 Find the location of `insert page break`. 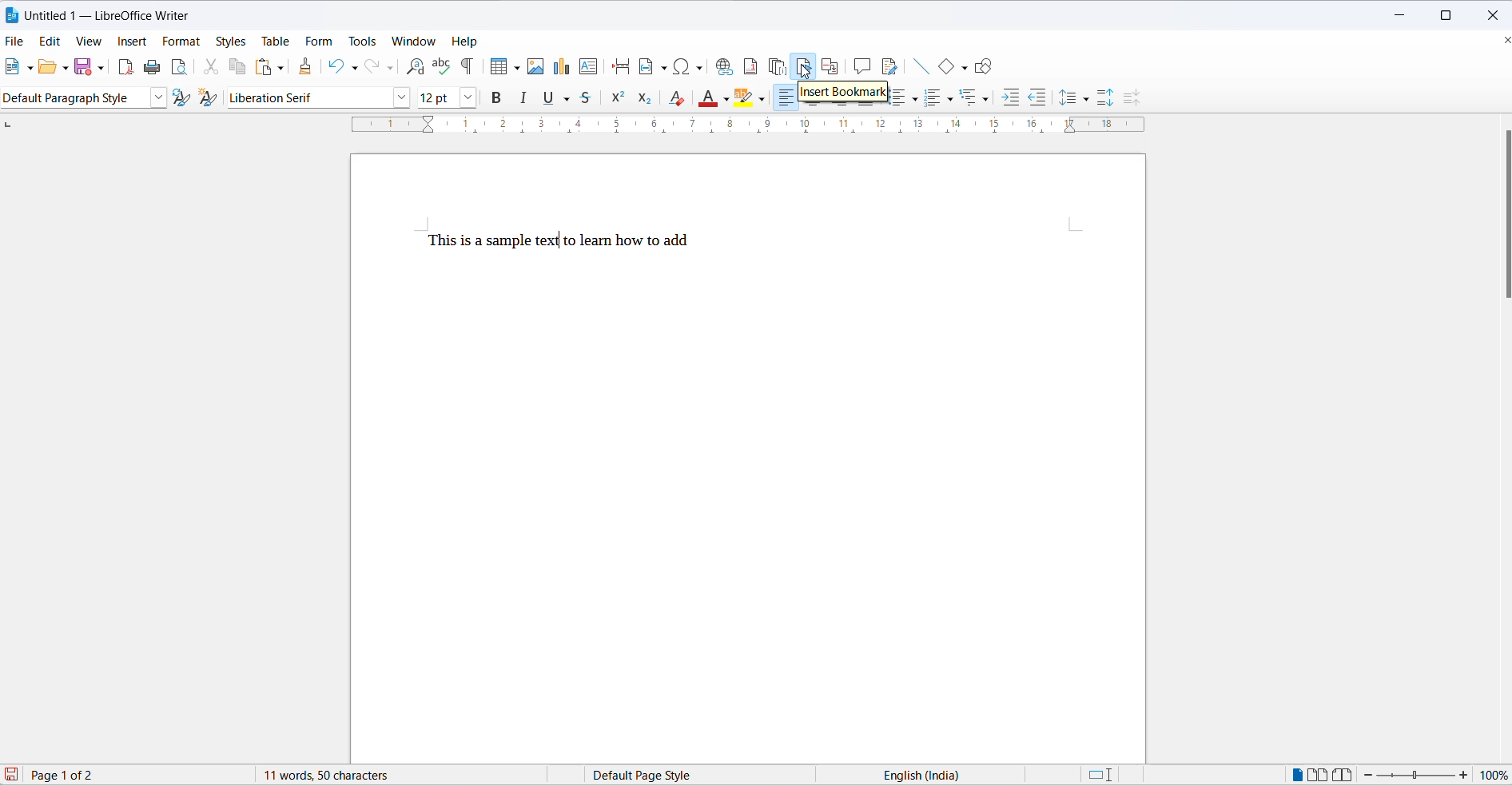

insert page break is located at coordinates (620, 68).